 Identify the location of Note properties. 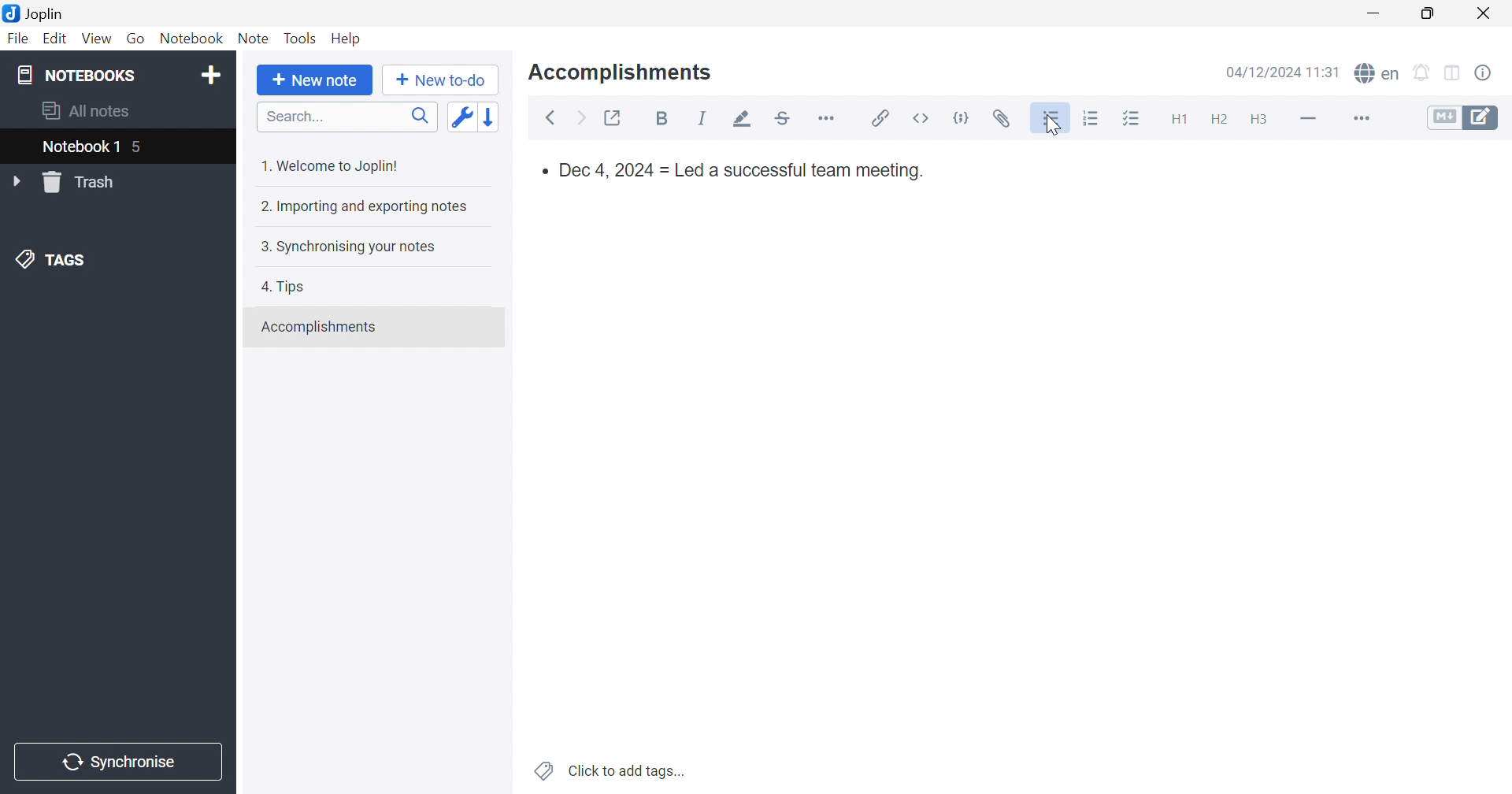
(1486, 74).